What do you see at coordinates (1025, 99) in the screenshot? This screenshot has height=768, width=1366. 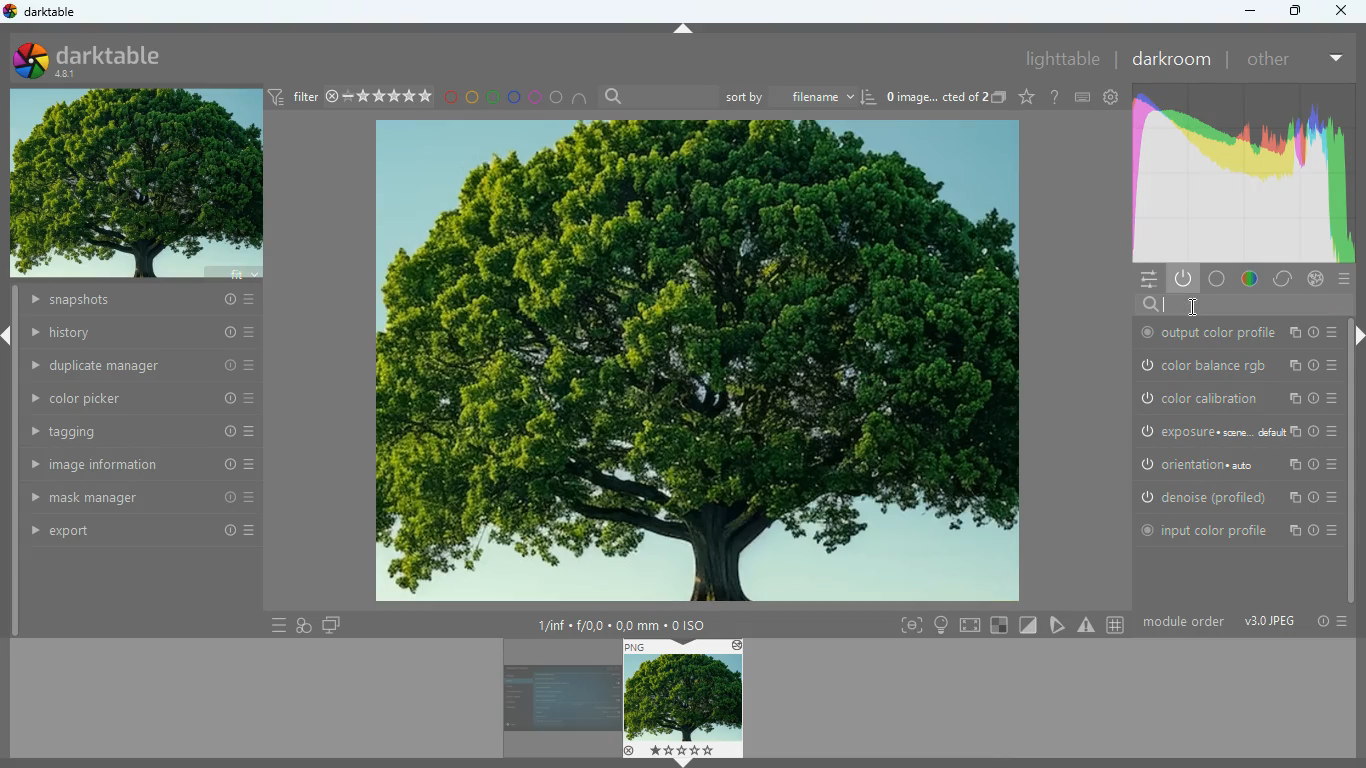 I see `favorite` at bounding box center [1025, 99].